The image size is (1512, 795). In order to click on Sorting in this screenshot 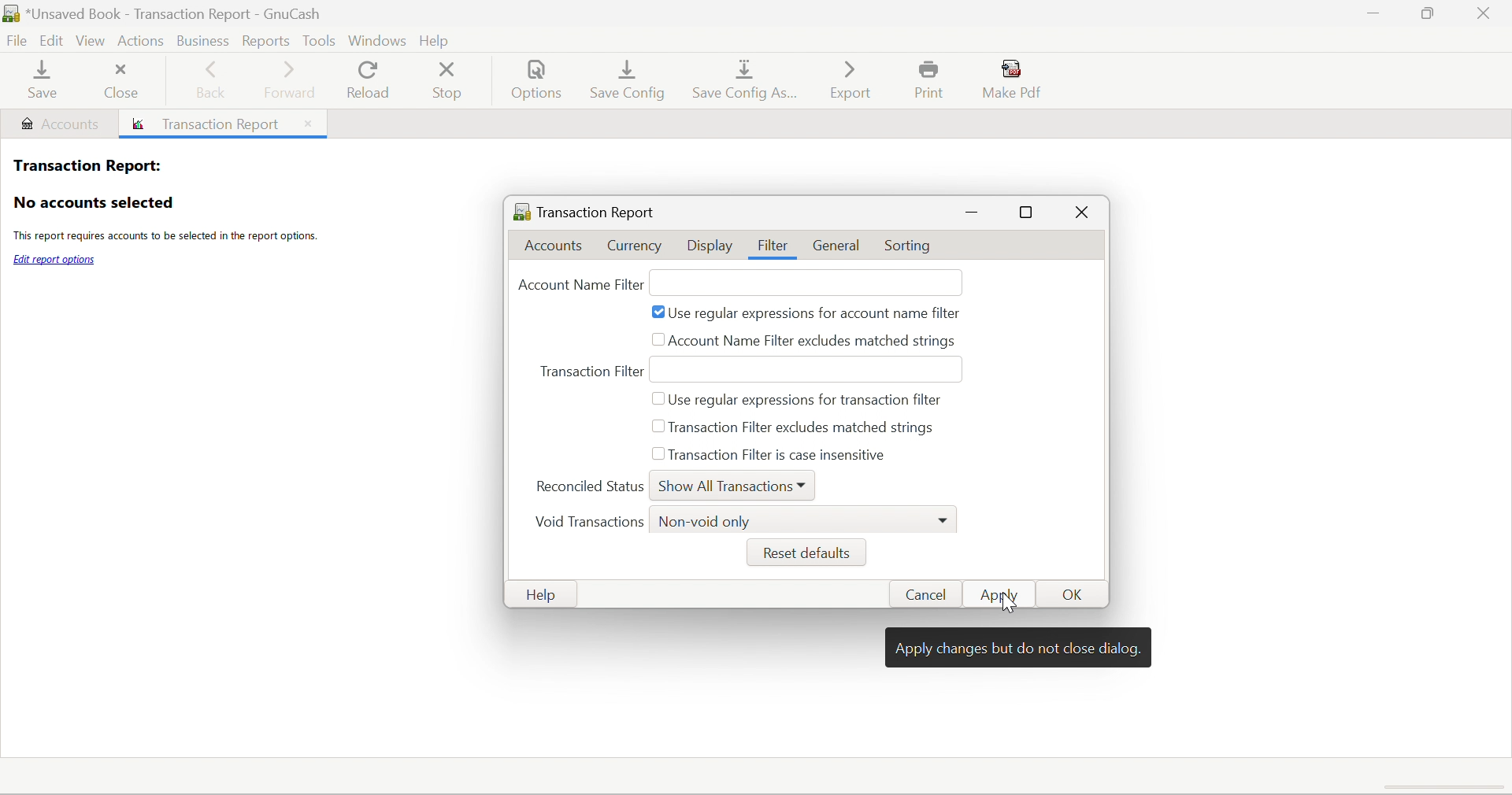, I will do `click(911, 247)`.